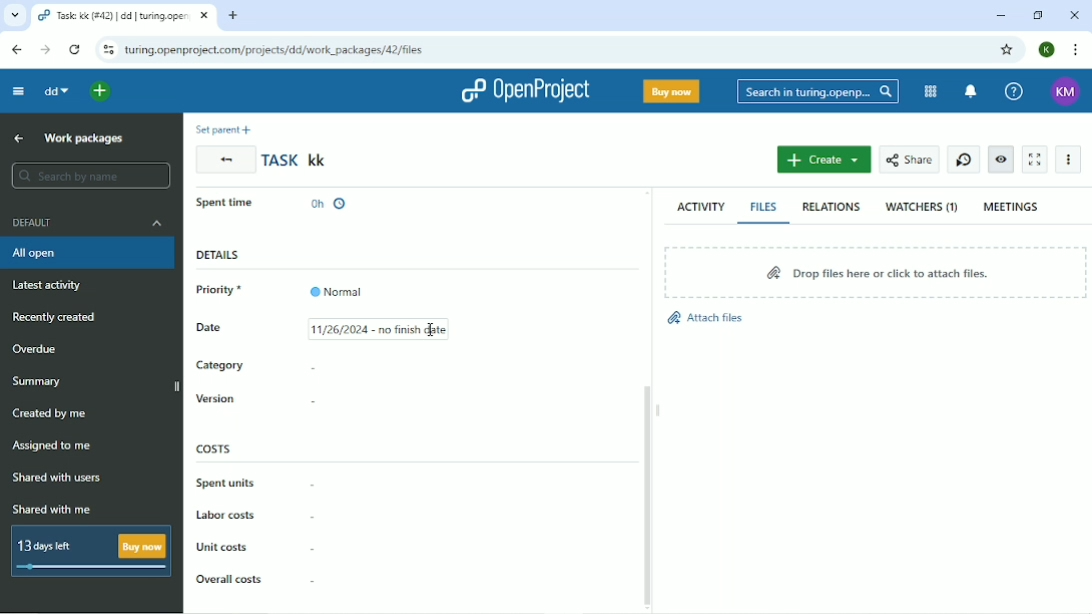 Image resolution: width=1092 pixels, height=614 pixels. What do you see at coordinates (51, 445) in the screenshot?
I see `Assigned to me` at bounding box center [51, 445].